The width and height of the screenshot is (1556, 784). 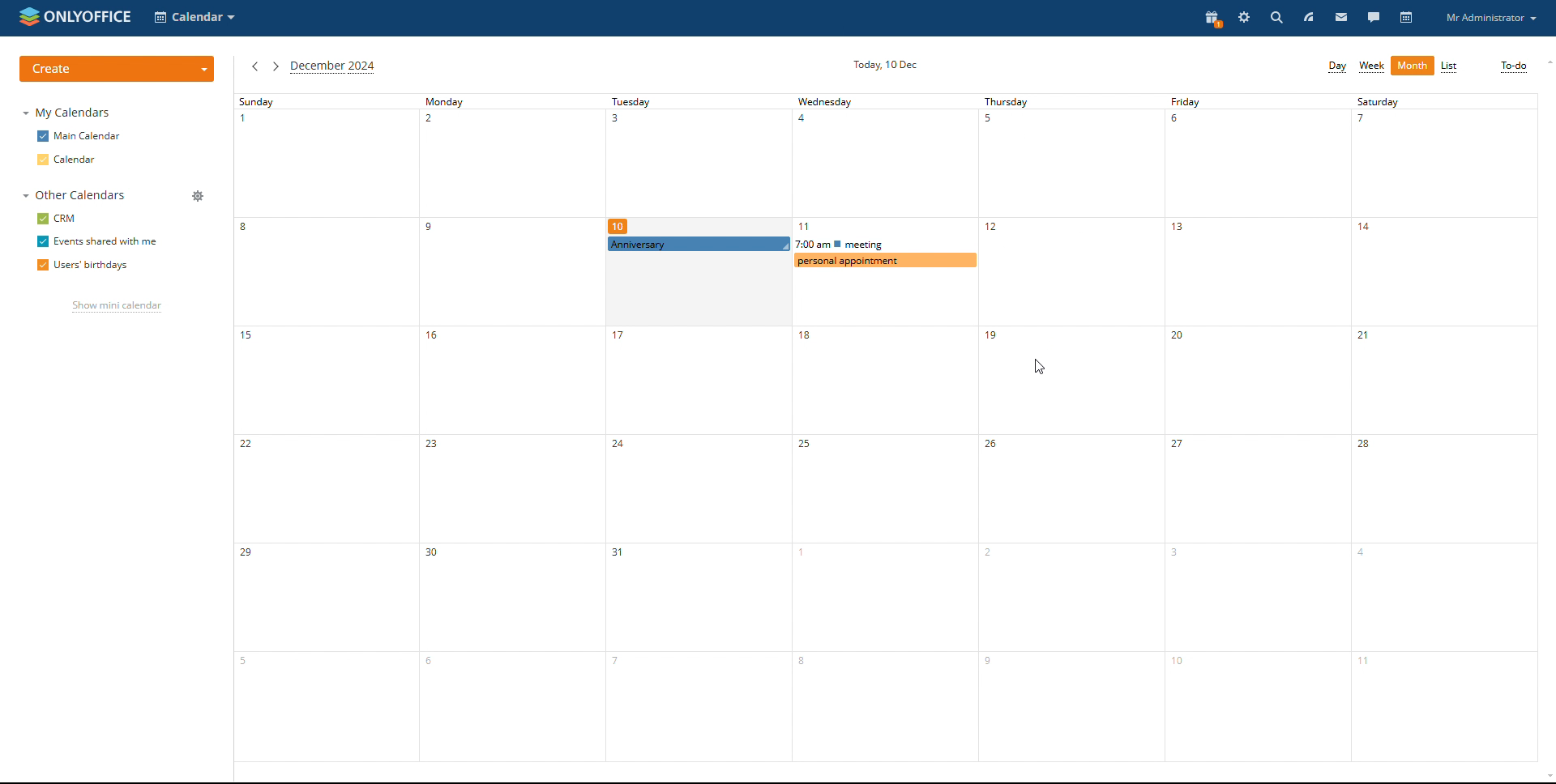 What do you see at coordinates (1341, 19) in the screenshot?
I see `mail` at bounding box center [1341, 19].